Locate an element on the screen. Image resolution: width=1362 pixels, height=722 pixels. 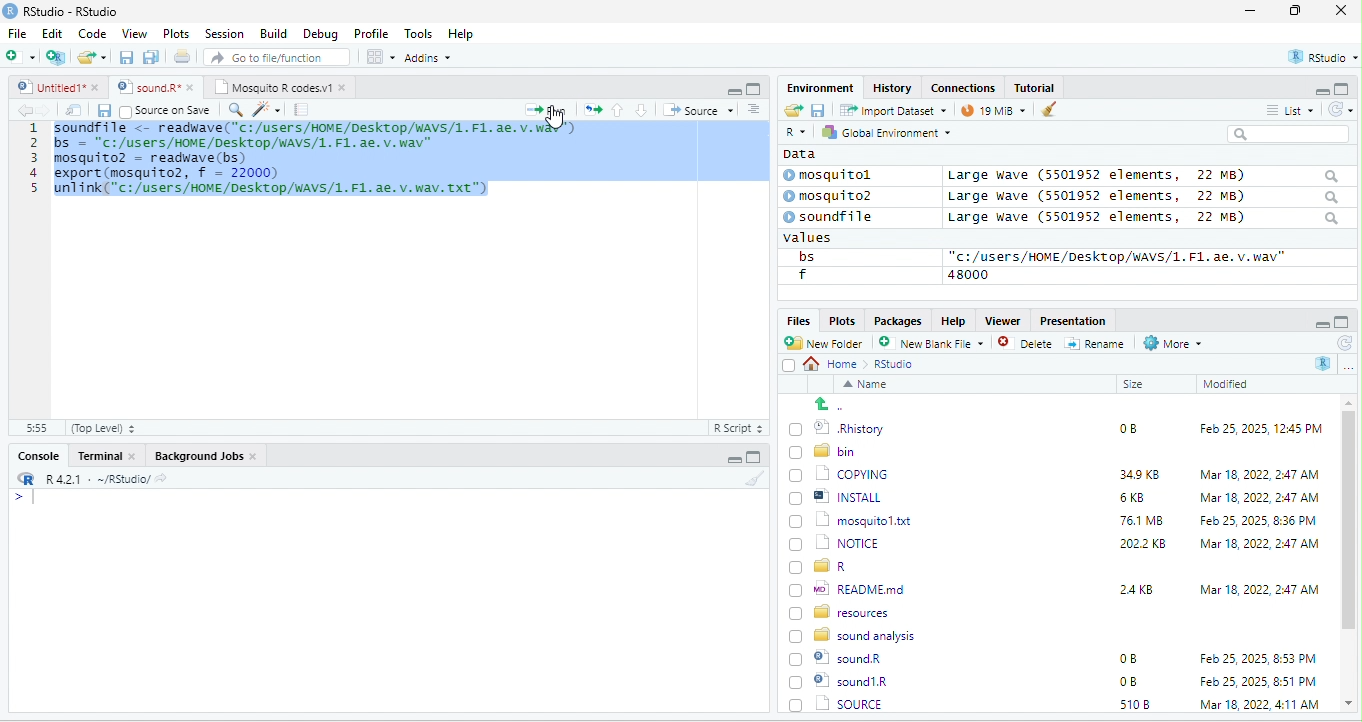
minimize is located at coordinates (1320, 323).